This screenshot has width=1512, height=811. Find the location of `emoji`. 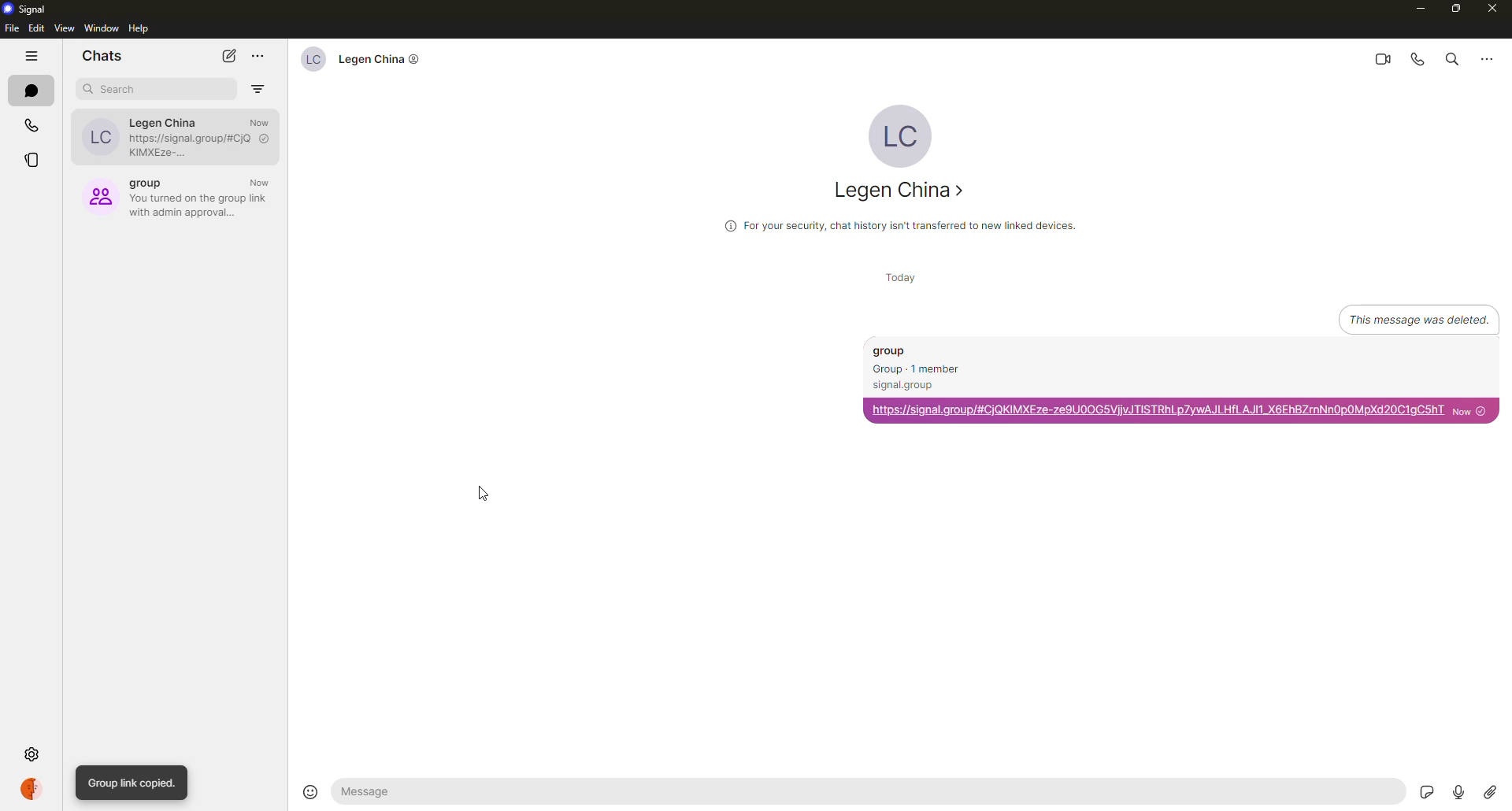

emoji is located at coordinates (309, 791).